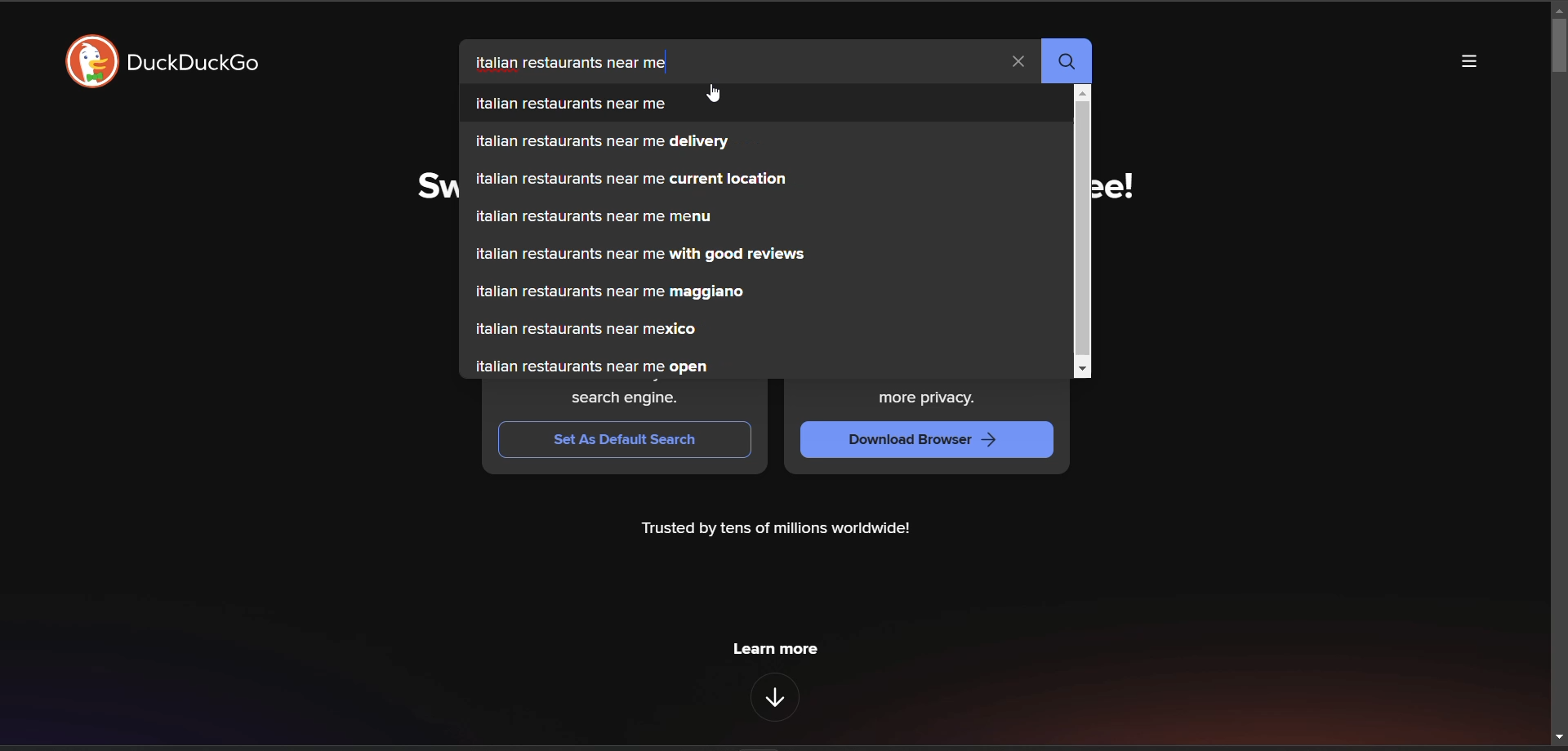 Image resolution: width=1568 pixels, height=751 pixels. What do you see at coordinates (765, 367) in the screenshot?
I see `italian restaurants near me open` at bounding box center [765, 367].